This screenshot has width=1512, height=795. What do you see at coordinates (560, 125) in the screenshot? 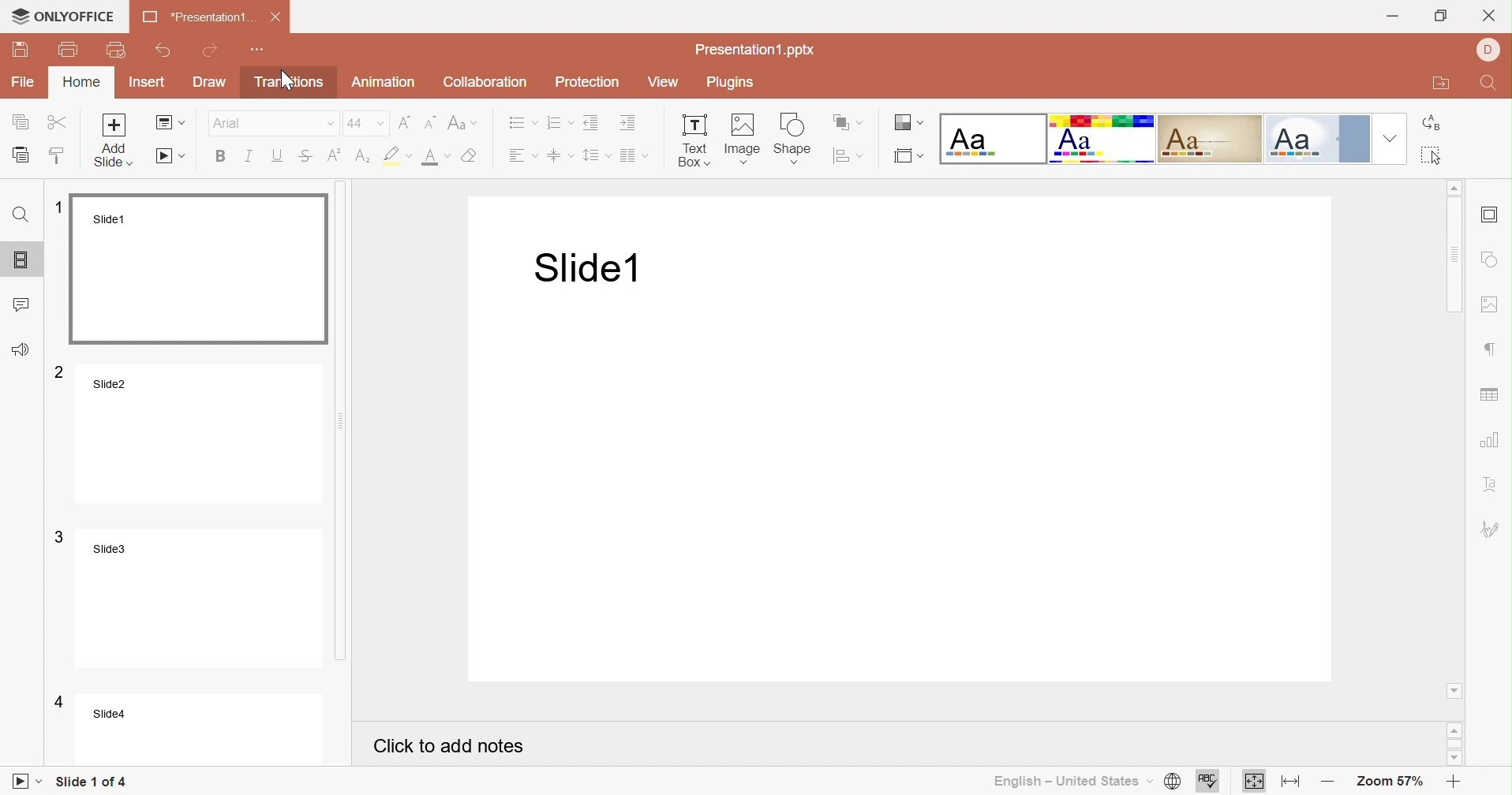
I see `Numbering` at bounding box center [560, 125].